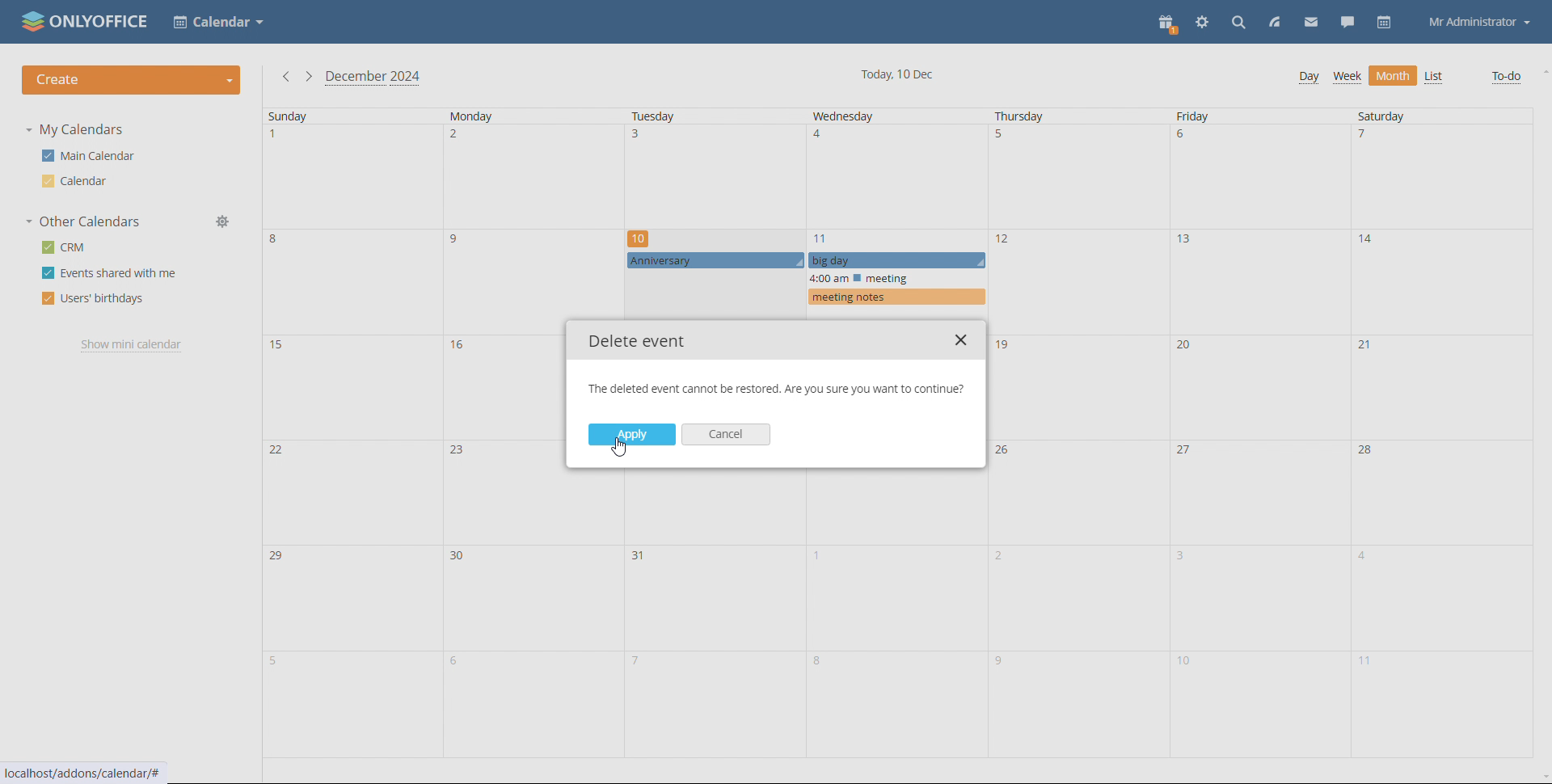 The image size is (1552, 784). Describe the element at coordinates (94, 773) in the screenshot. I see `localhost/addons/calendar/#` at that location.